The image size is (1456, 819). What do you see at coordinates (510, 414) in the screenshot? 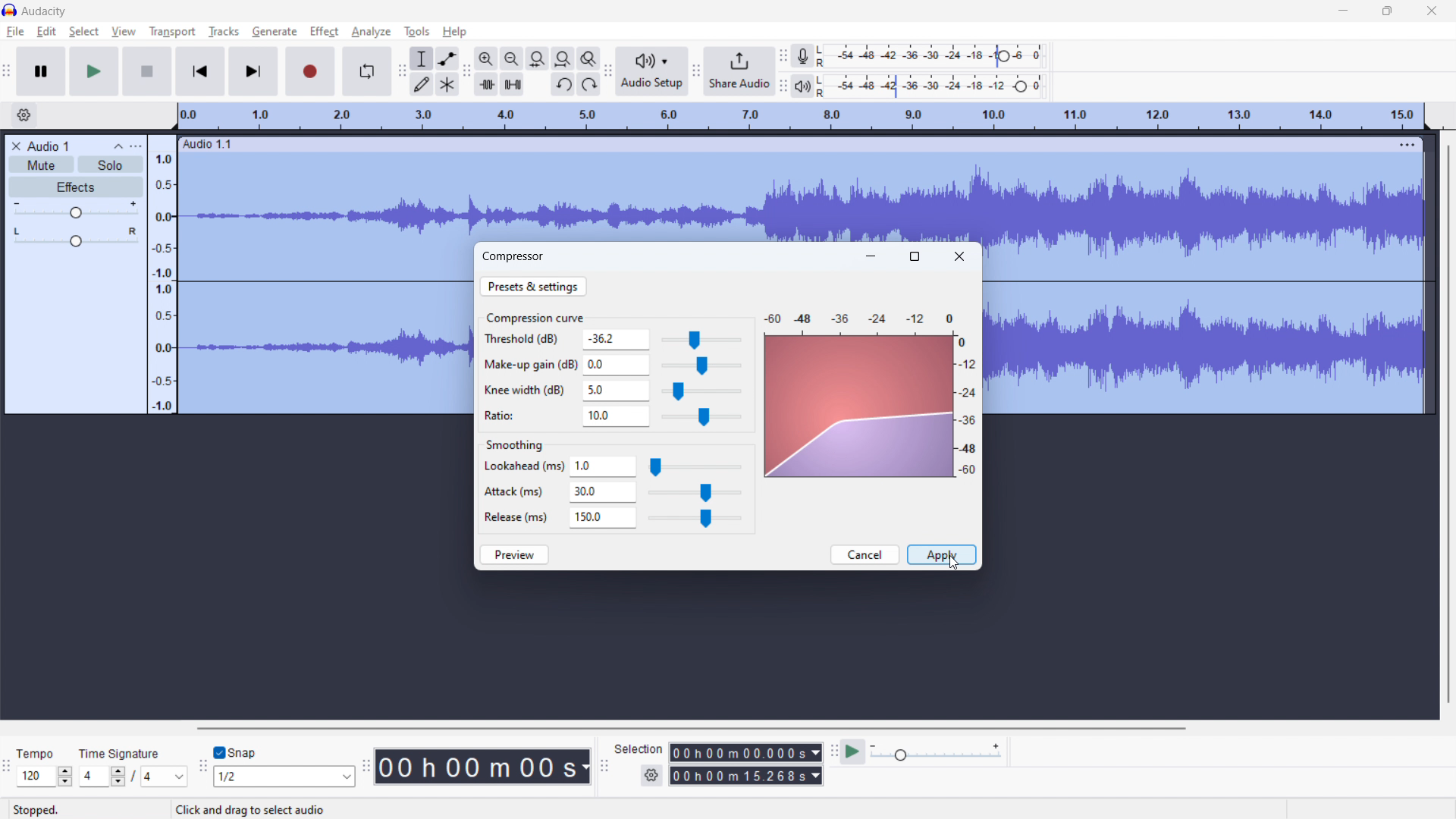
I see `Ratio:` at bounding box center [510, 414].